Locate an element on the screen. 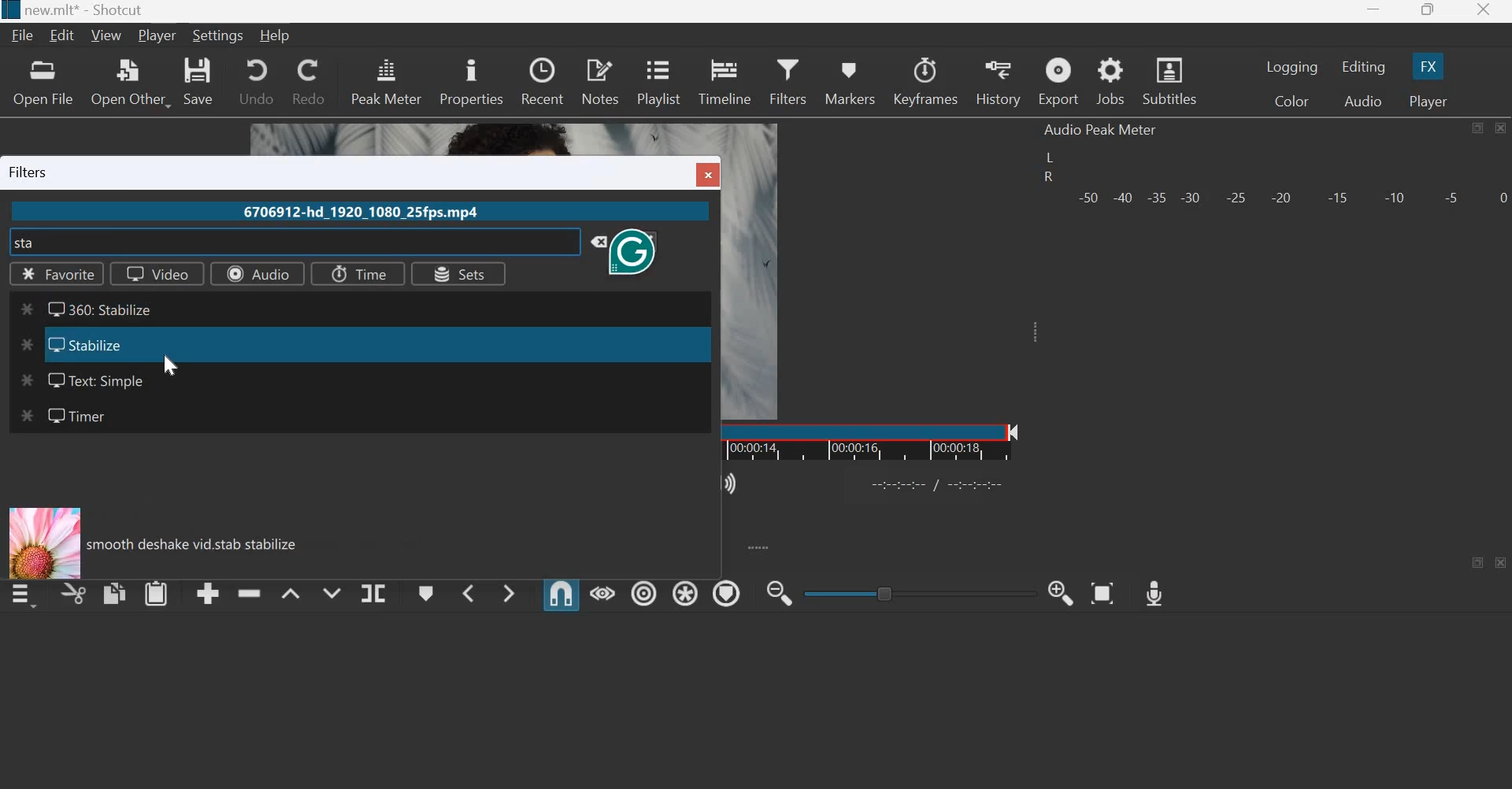   is located at coordinates (44, 83).